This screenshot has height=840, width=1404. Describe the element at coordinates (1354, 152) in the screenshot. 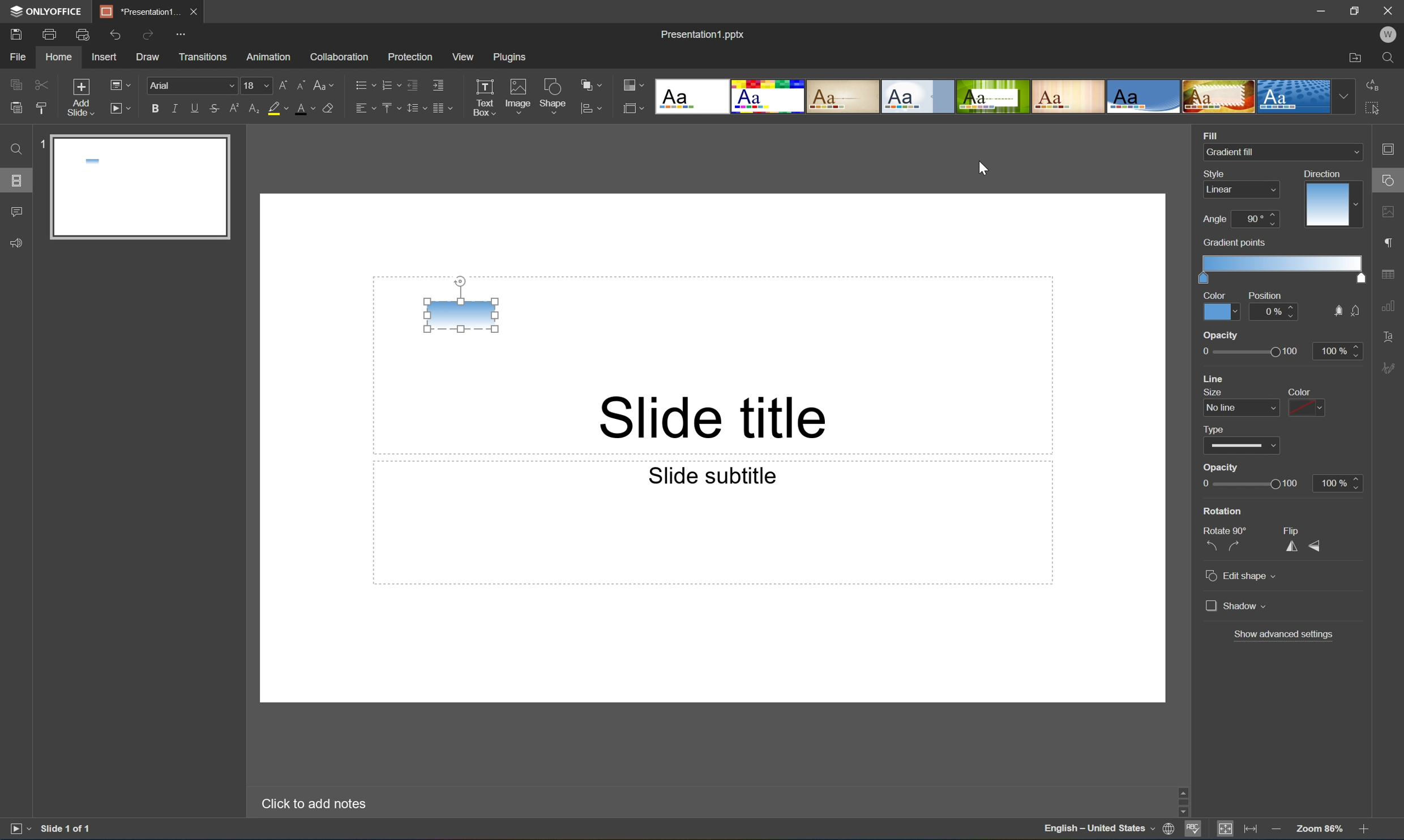

I see `Drop Down` at that location.